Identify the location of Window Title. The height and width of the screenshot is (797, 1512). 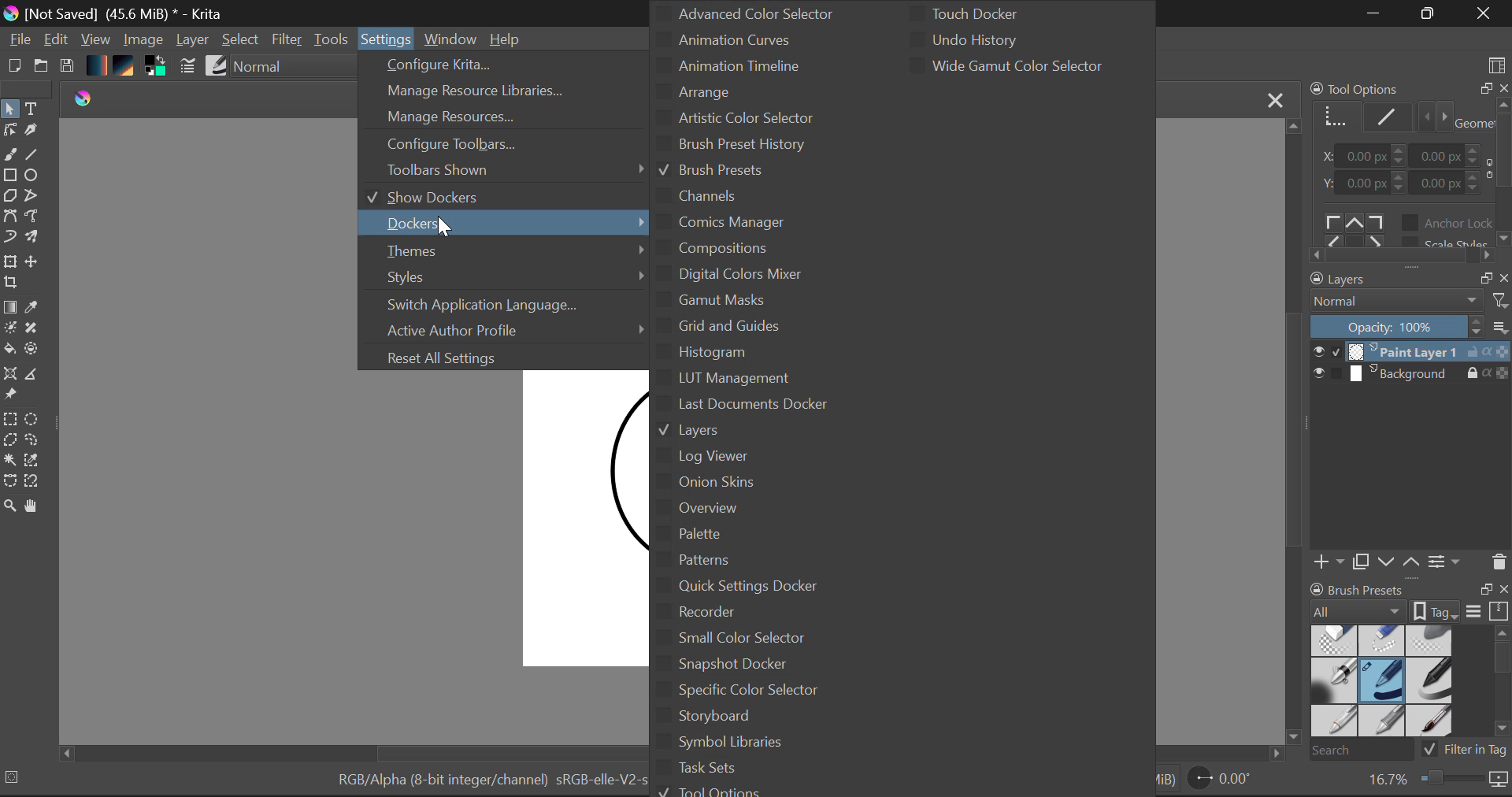
(117, 13).